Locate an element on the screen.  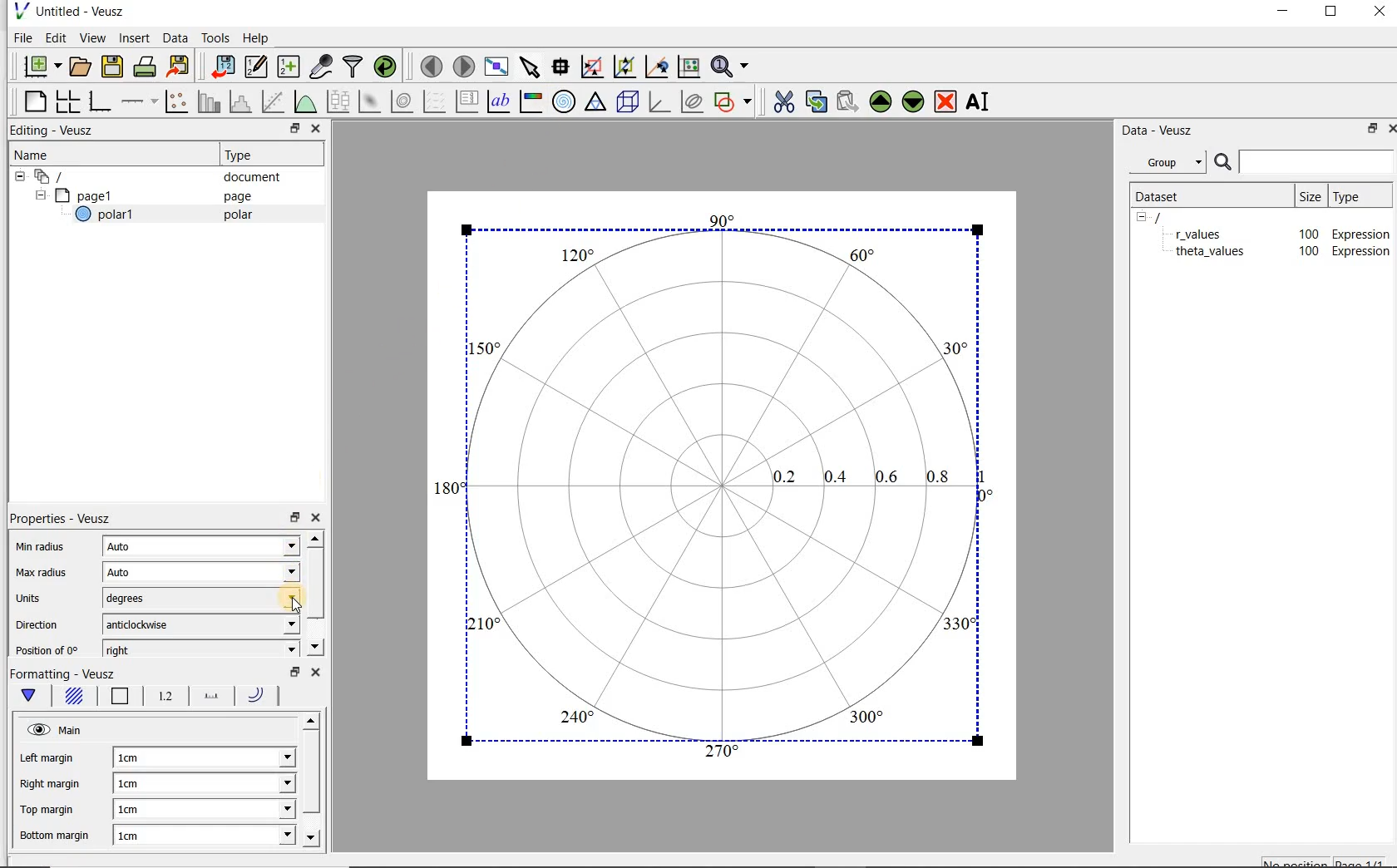
Left margin is located at coordinates (47, 757).